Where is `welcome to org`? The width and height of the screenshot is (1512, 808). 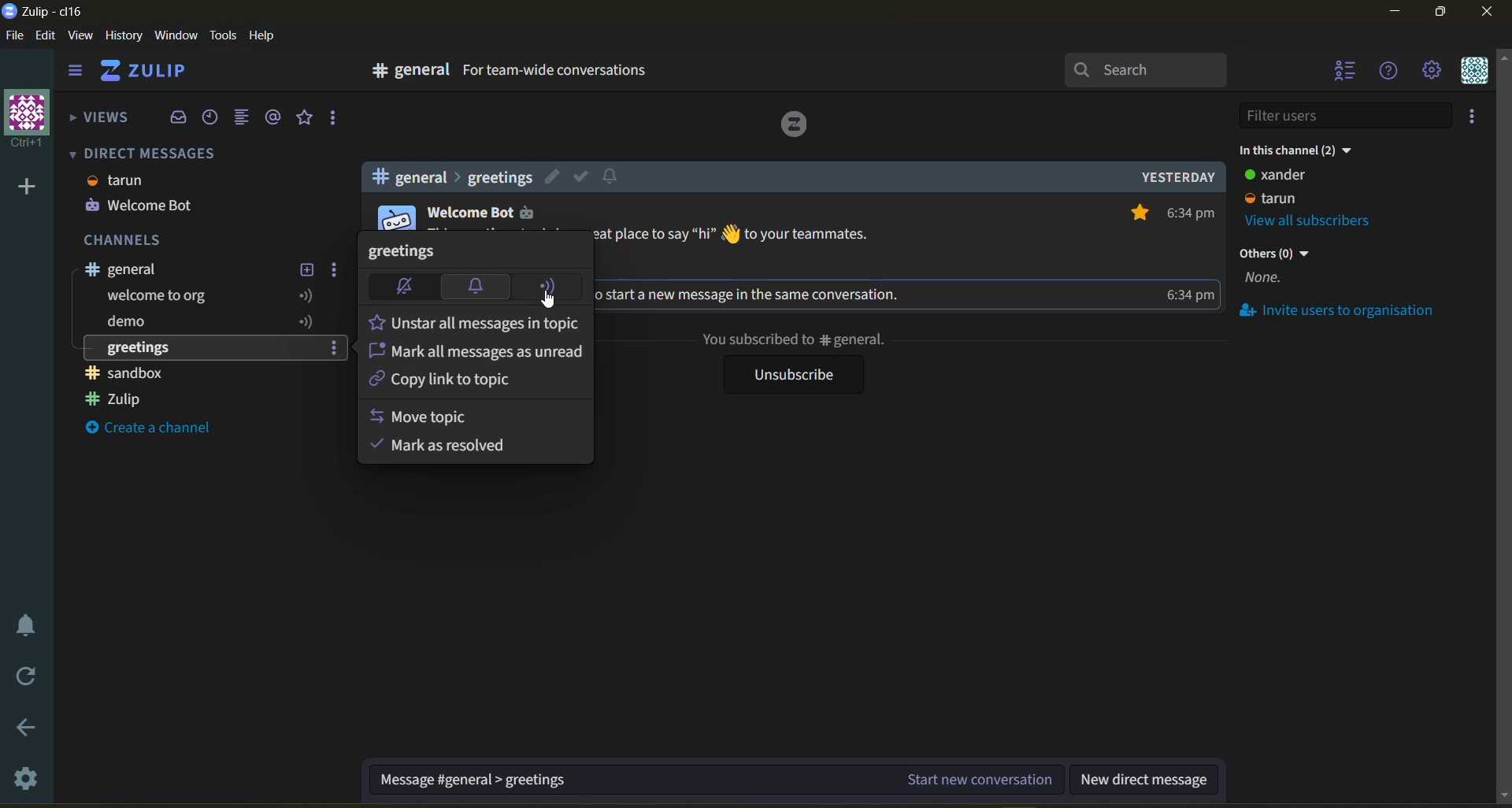 welcome to org is located at coordinates (161, 297).